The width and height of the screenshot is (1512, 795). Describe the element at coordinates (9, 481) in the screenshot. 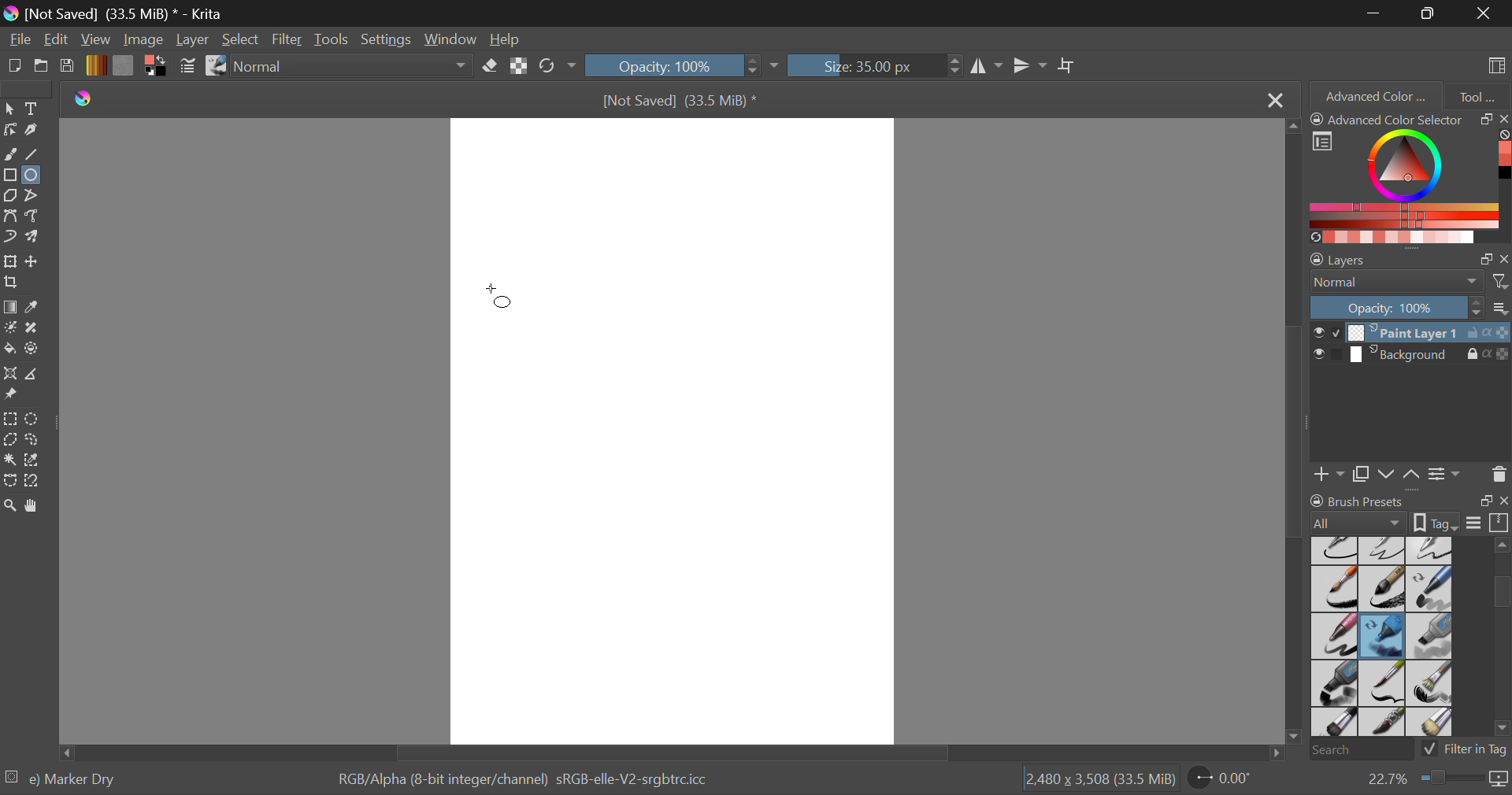

I see `Bezier Curve Selection` at that location.